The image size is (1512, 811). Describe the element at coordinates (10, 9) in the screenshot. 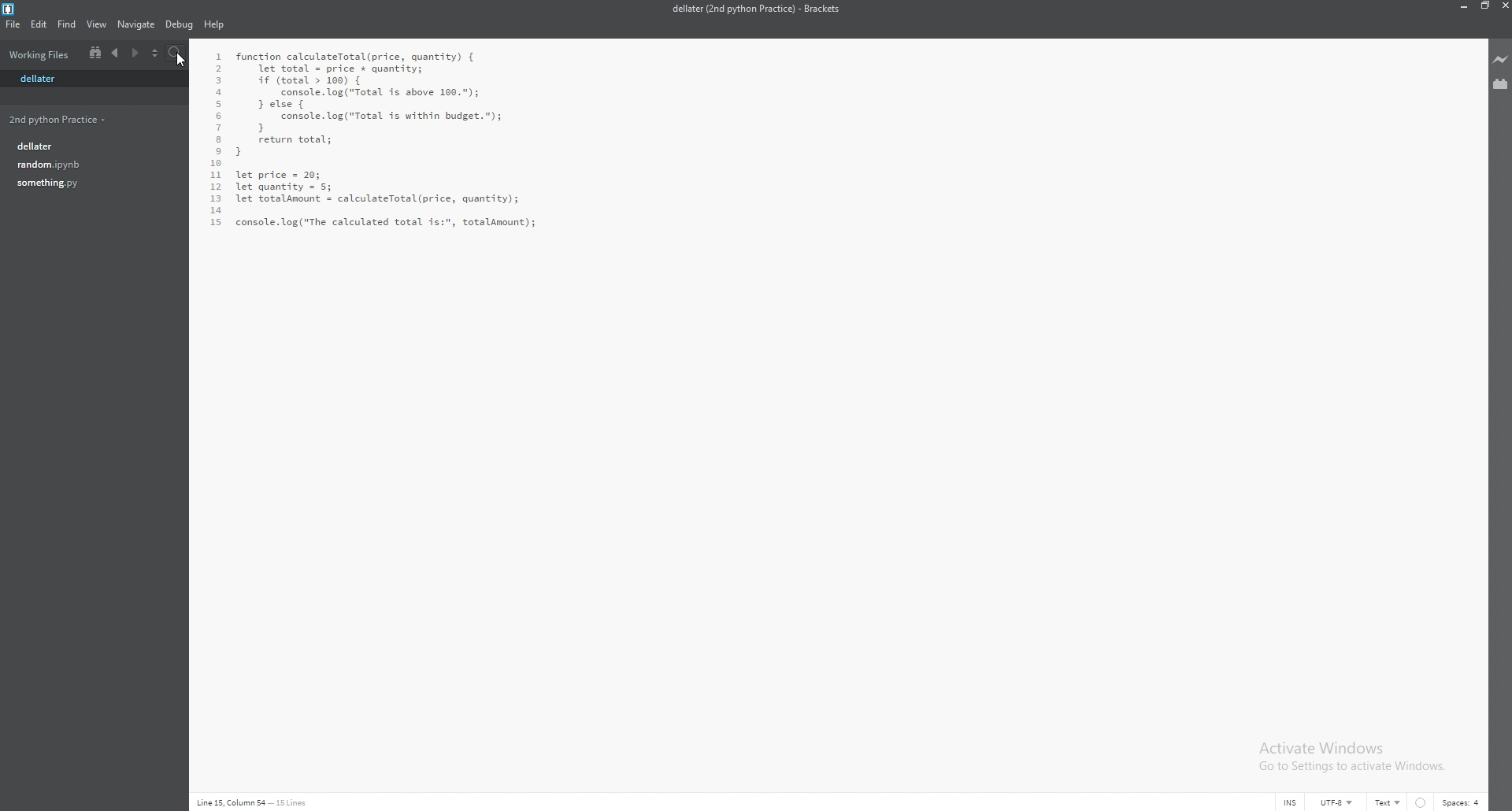

I see `bracket logo` at that location.